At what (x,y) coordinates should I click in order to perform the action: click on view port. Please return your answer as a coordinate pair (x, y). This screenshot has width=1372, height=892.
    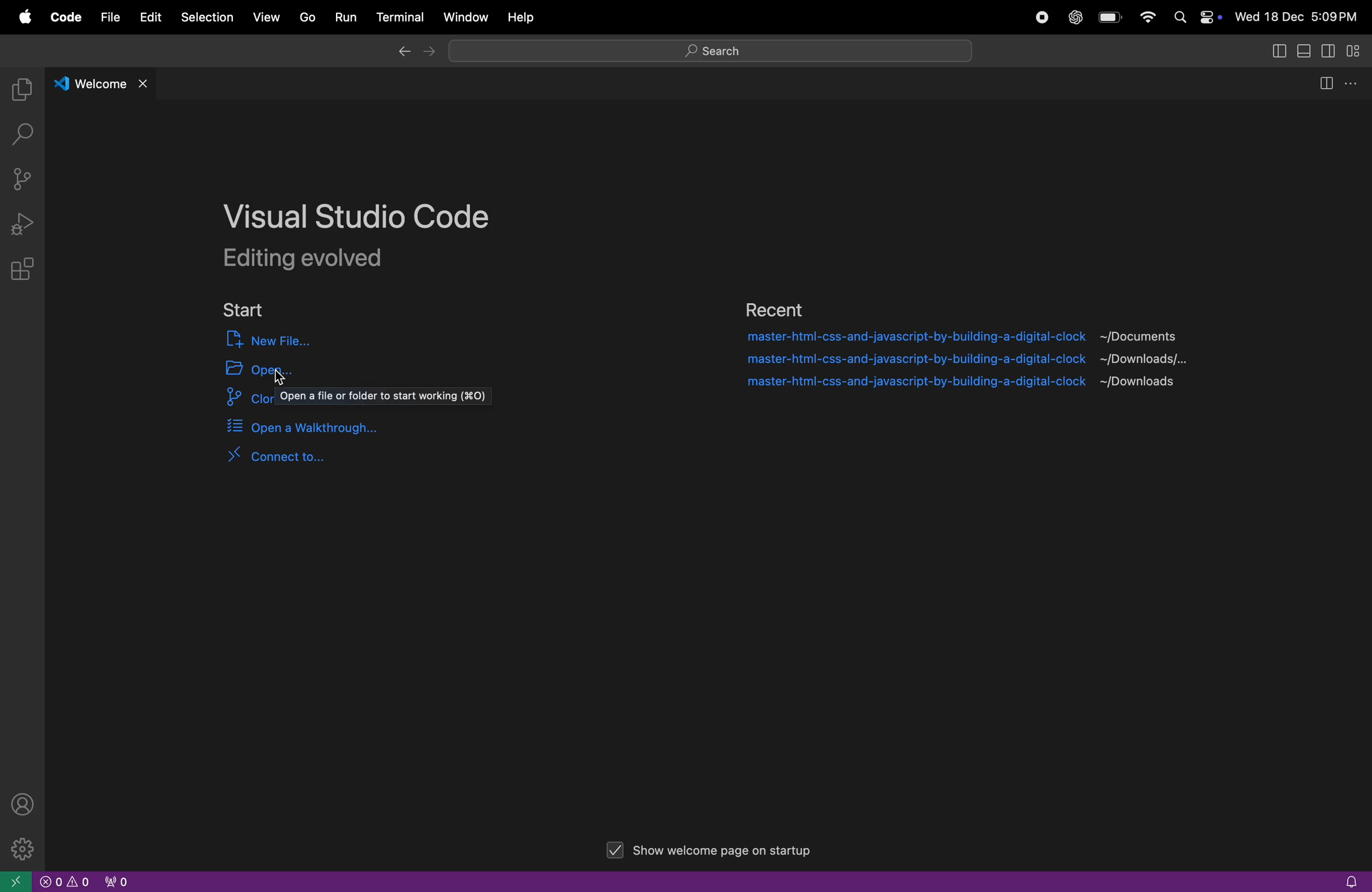
    Looking at the image, I should click on (115, 881).